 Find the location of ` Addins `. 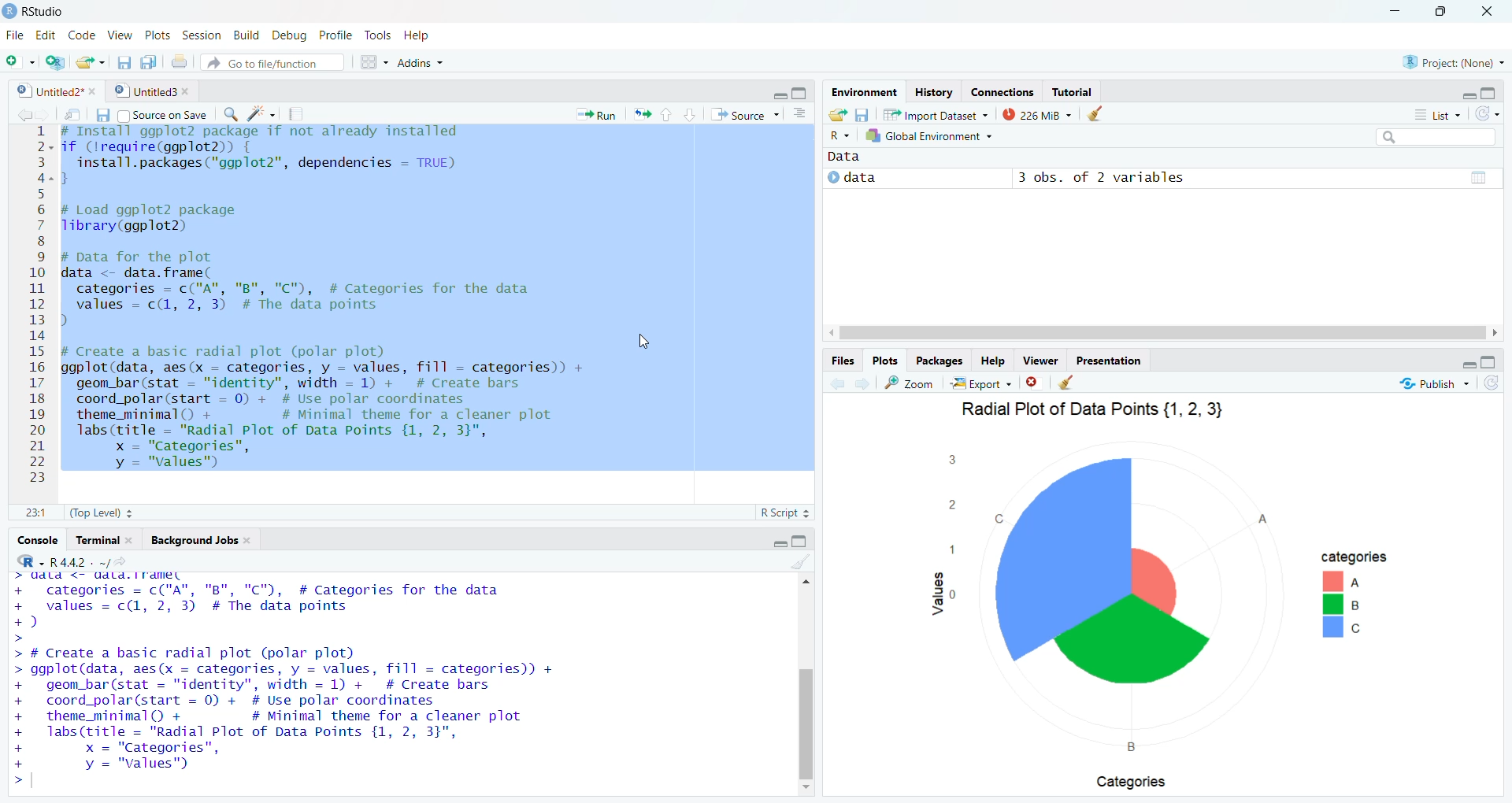

 Addins  is located at coordinates (422, 61).